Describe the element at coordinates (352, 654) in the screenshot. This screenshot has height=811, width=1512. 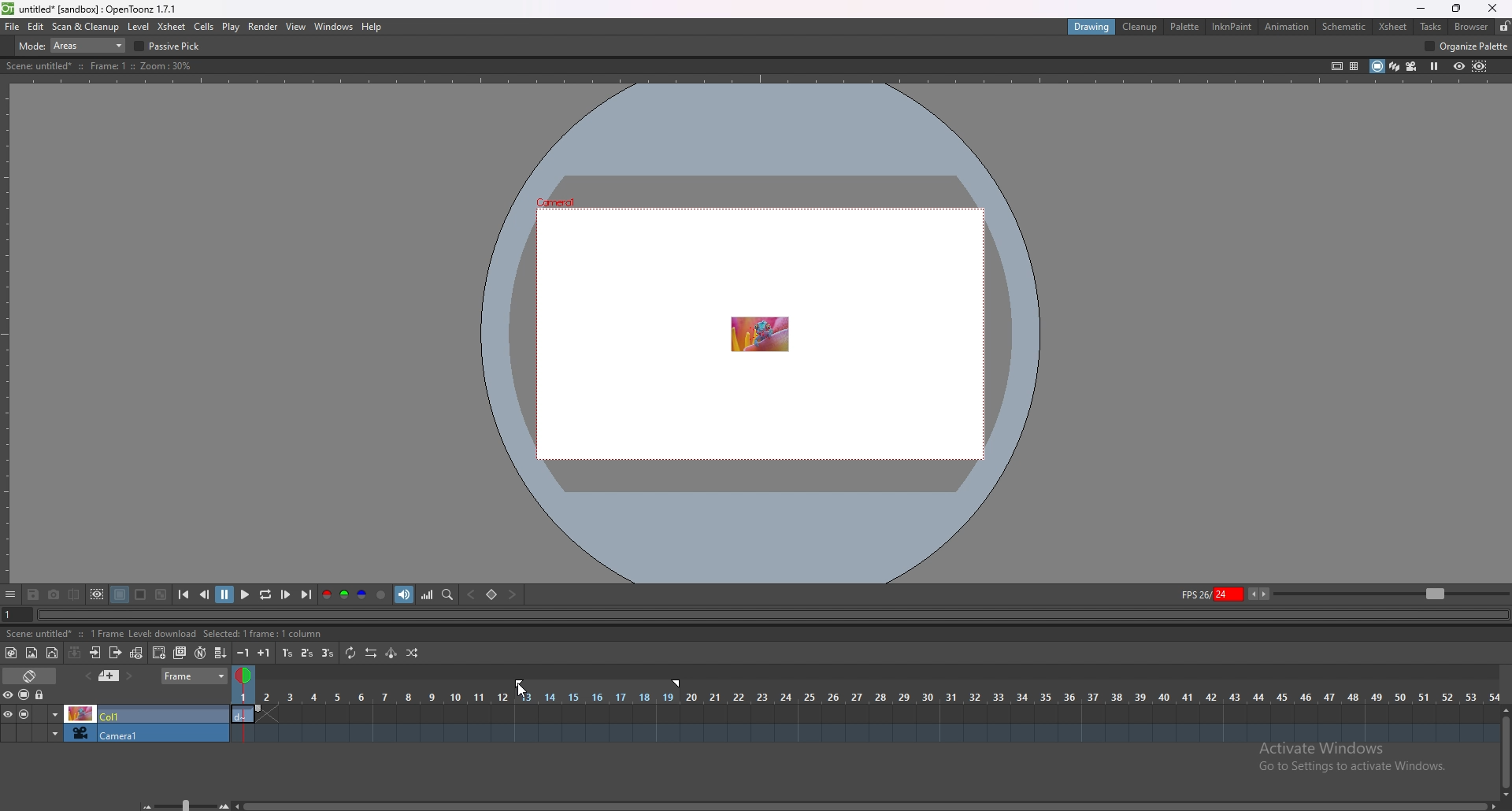
I see `repeat` at that location.